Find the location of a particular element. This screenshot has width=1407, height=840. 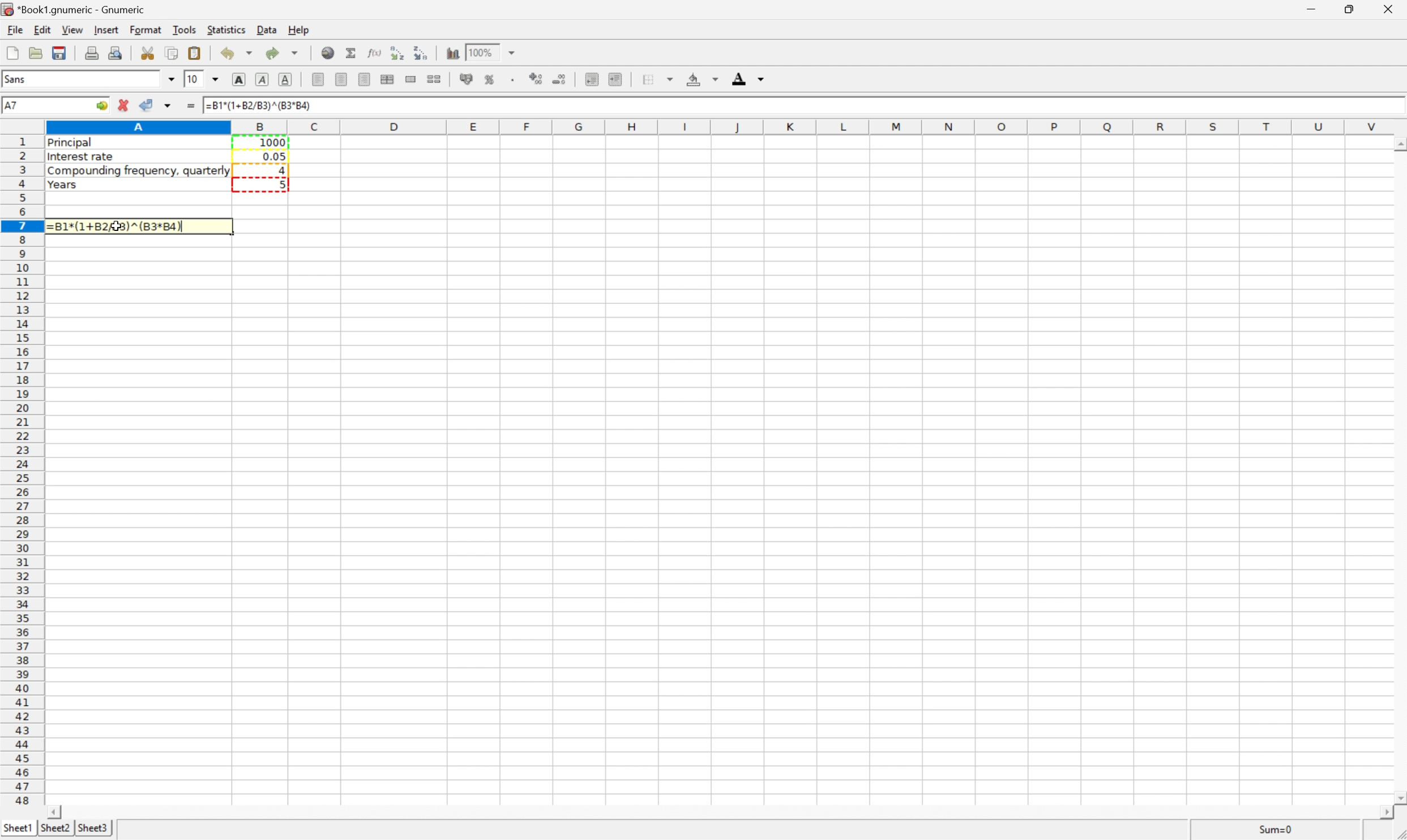

1000 is located at coordinates (275, 143).